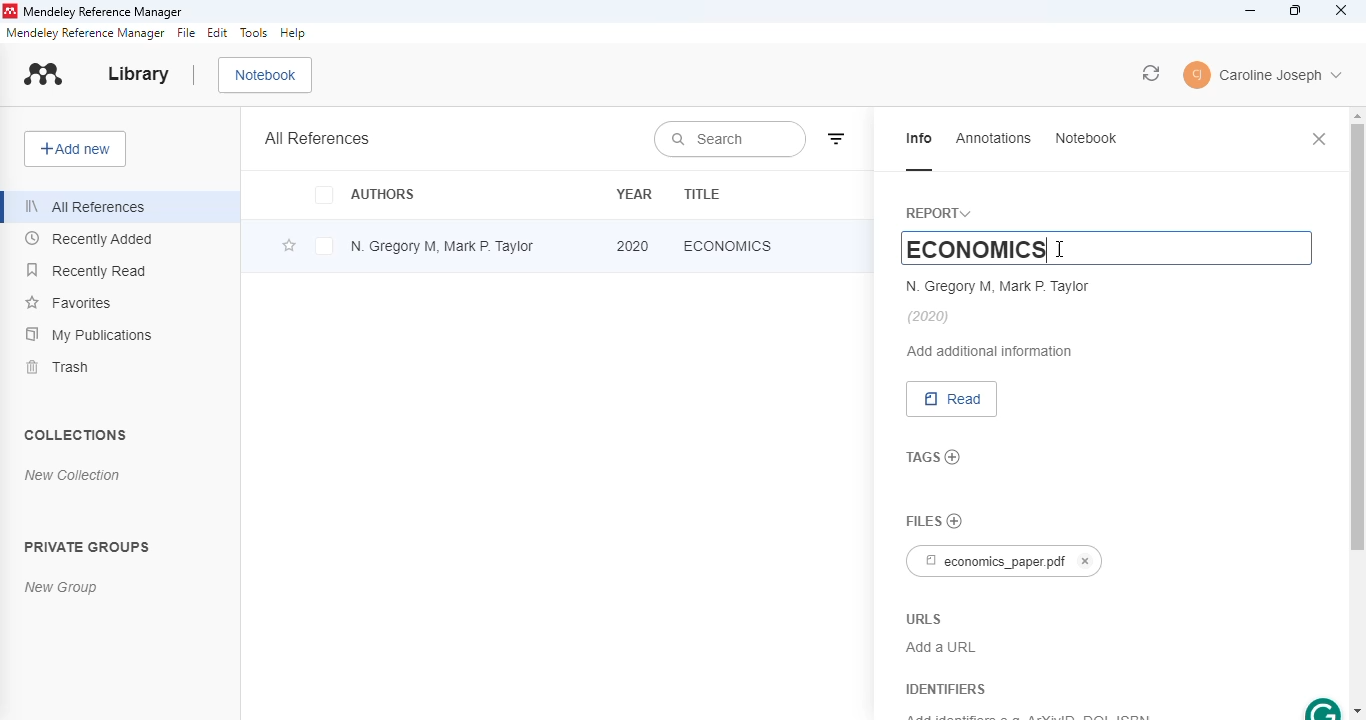 The width and height of the screenshot is (1366, 720). What do you see at coordinates (1356, 711) in the screenshot?
I see `scroll down` at bounding box center [1356, 711].